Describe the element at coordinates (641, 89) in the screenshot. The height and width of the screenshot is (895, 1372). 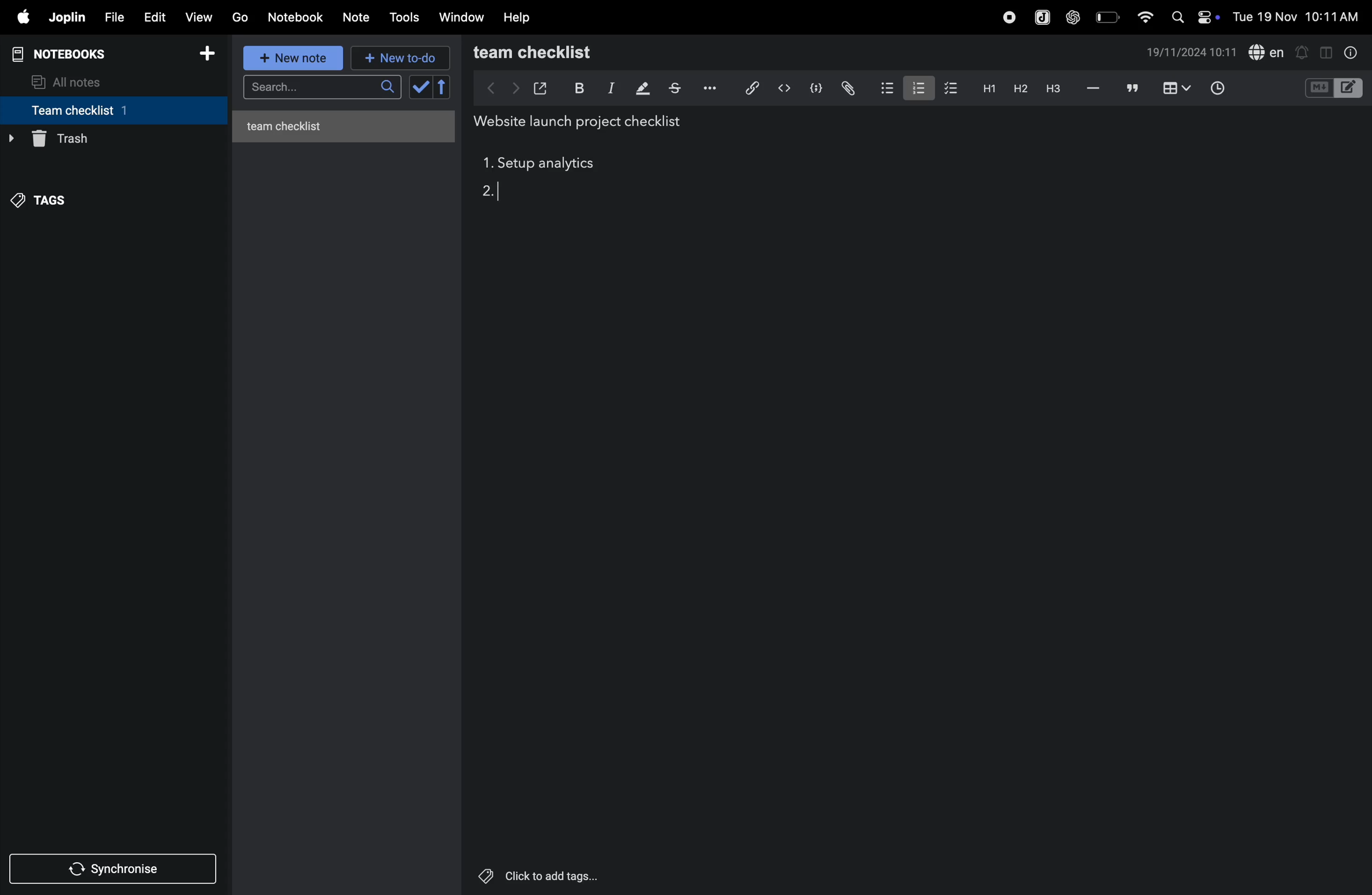
I see `highlight` at that location.